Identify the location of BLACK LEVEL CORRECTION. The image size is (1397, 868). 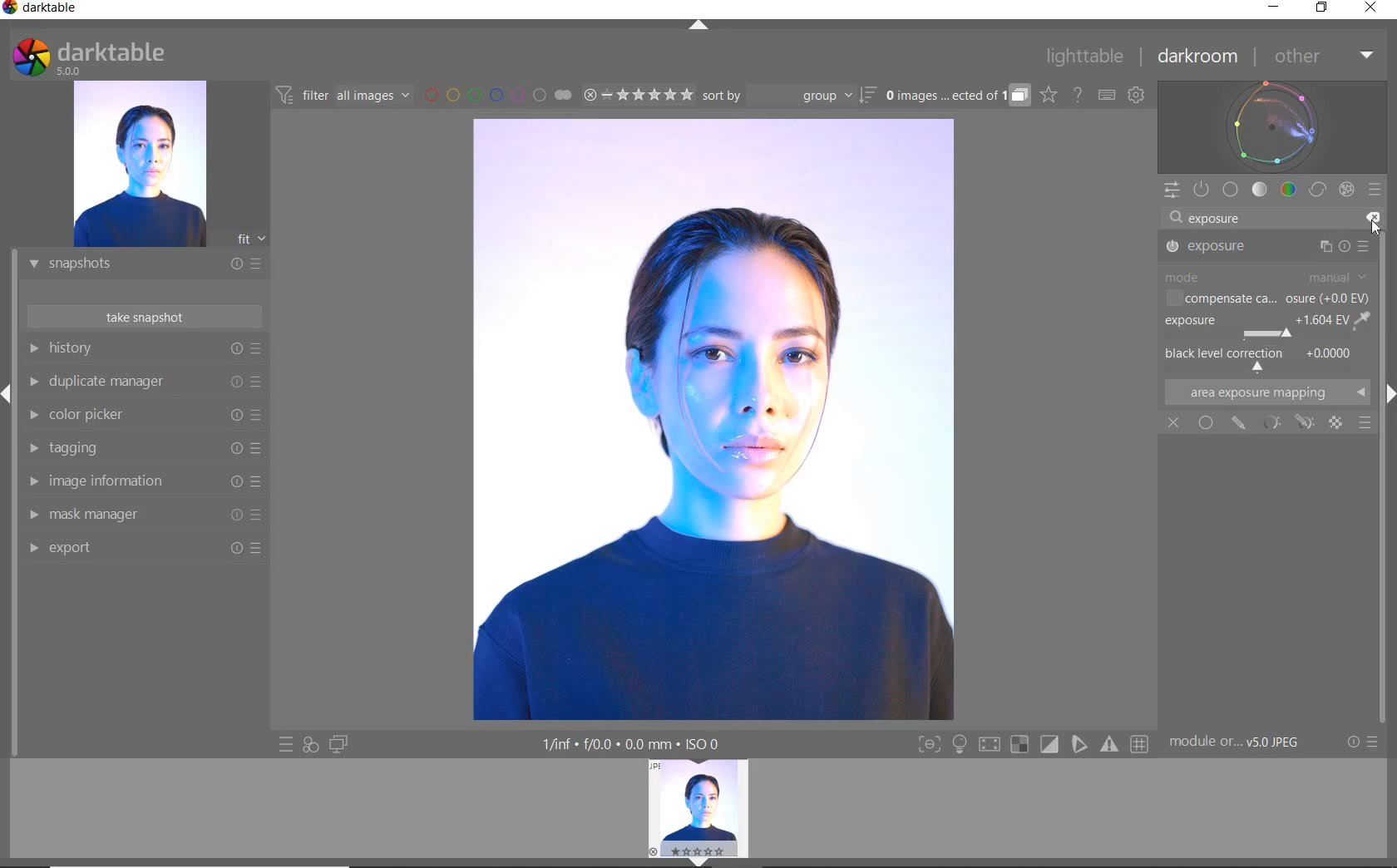
(1264, 358).